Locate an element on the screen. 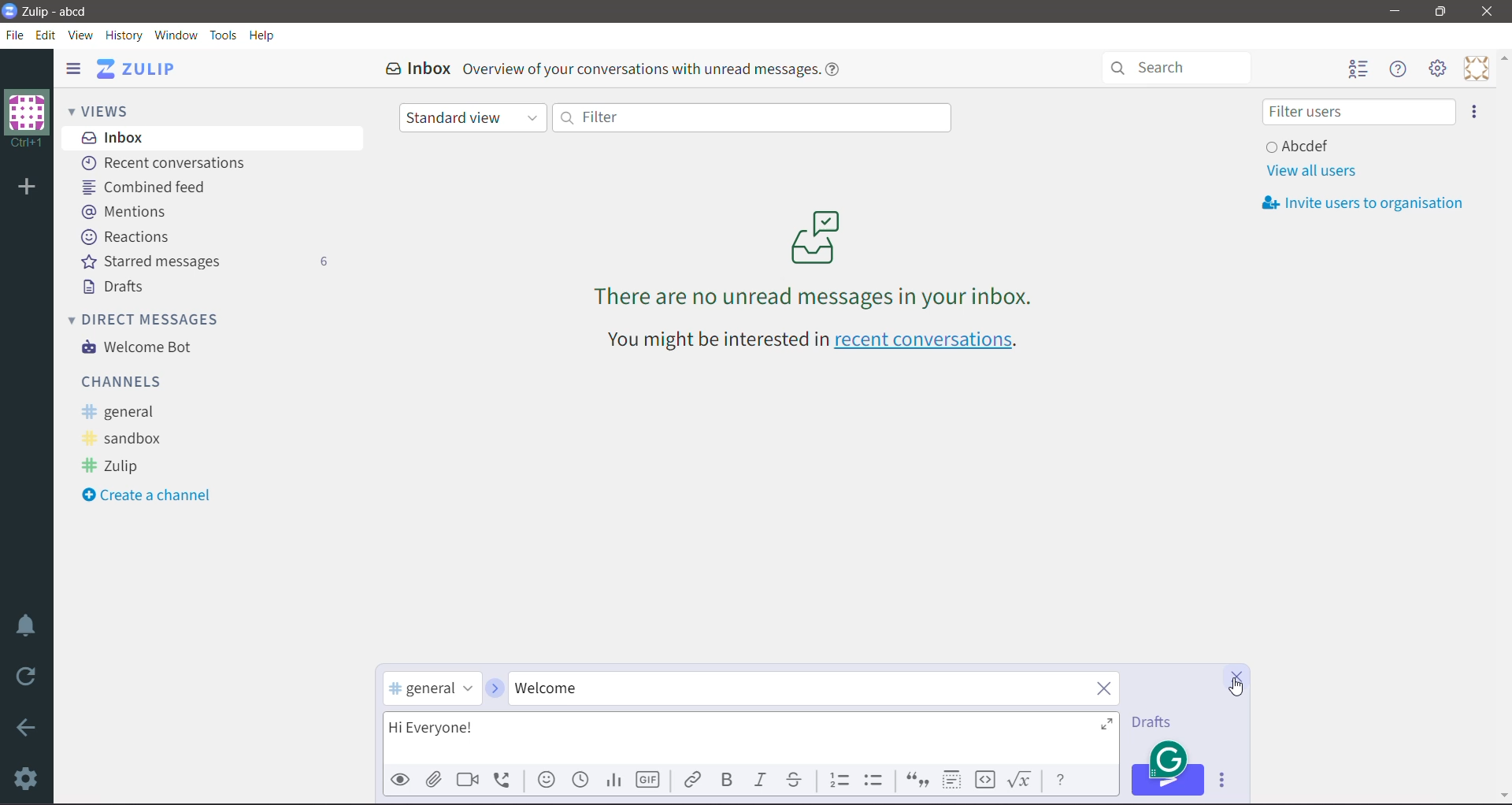 Image resolution: width=1512 pixels, height=805 pixels. Organization Name is located at coordinates (27, 119).